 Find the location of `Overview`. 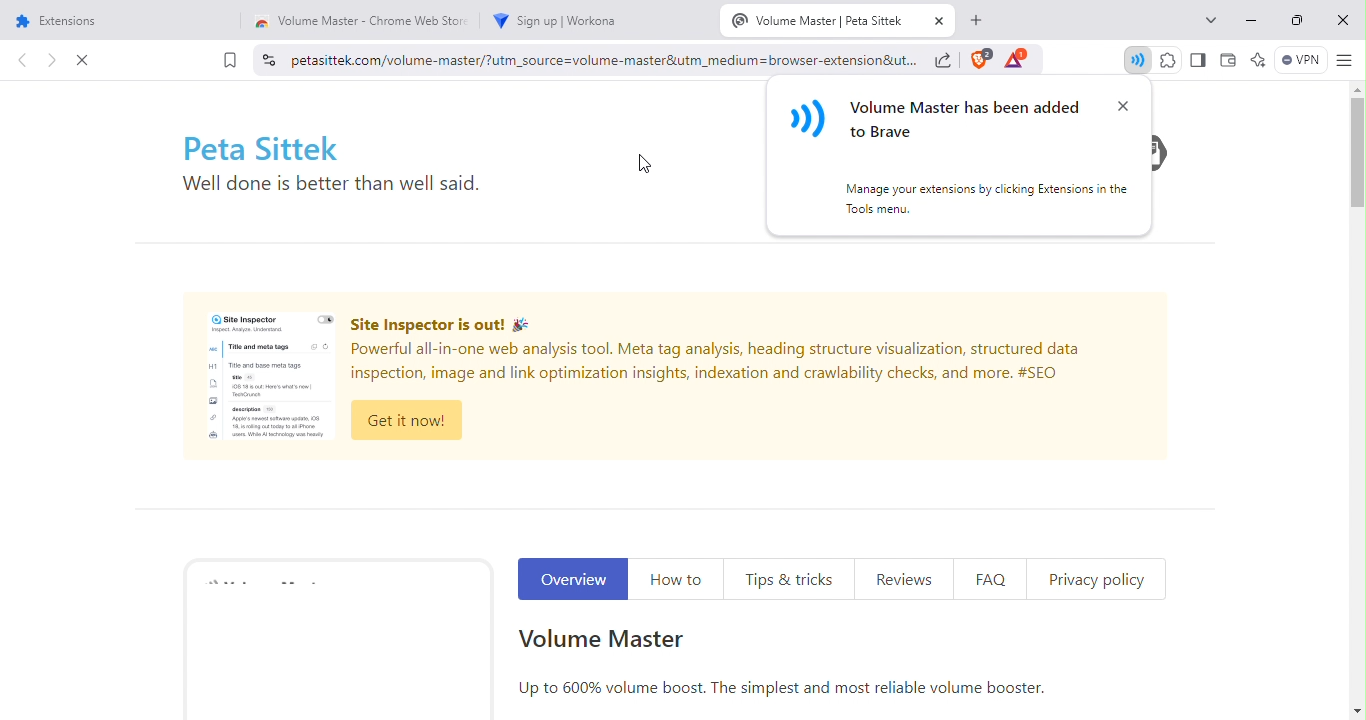

Overview is located at coordinates (574, 579).